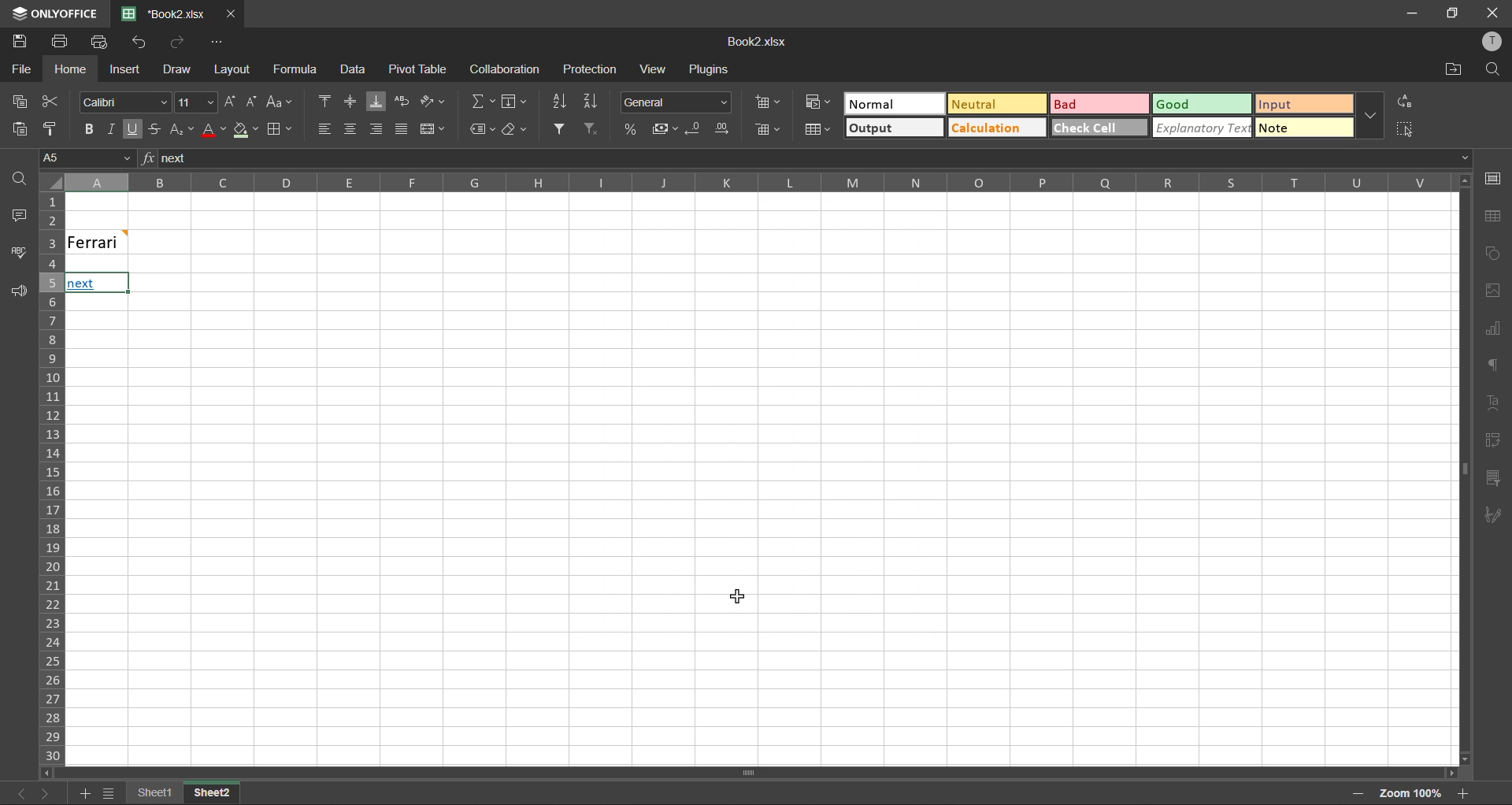  Describe the element at coordinates (1466, 792) in the screenshot. I see `zoom in` at that location.